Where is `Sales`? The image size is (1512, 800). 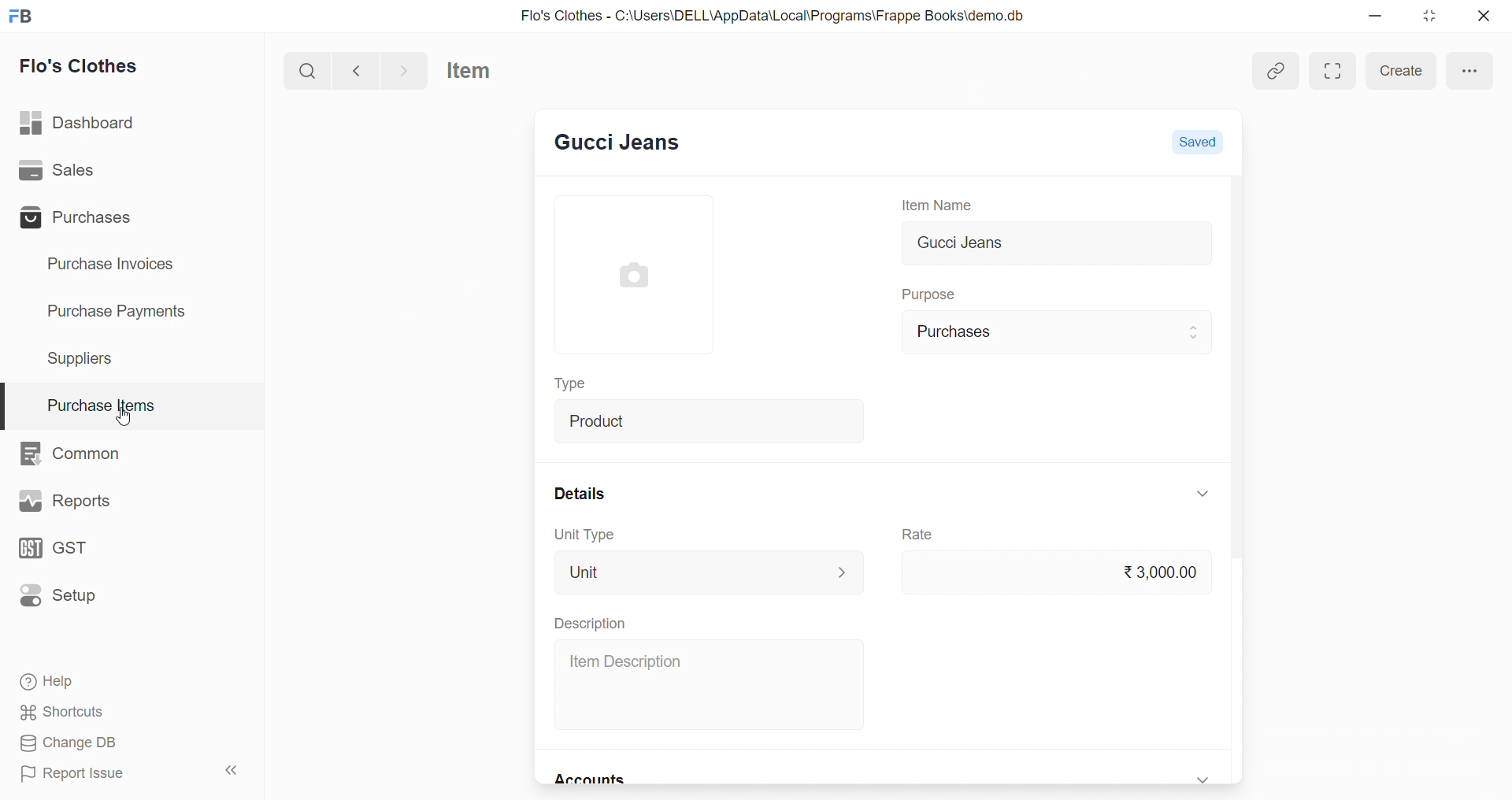
Sales is located at coordinates (81, 171).